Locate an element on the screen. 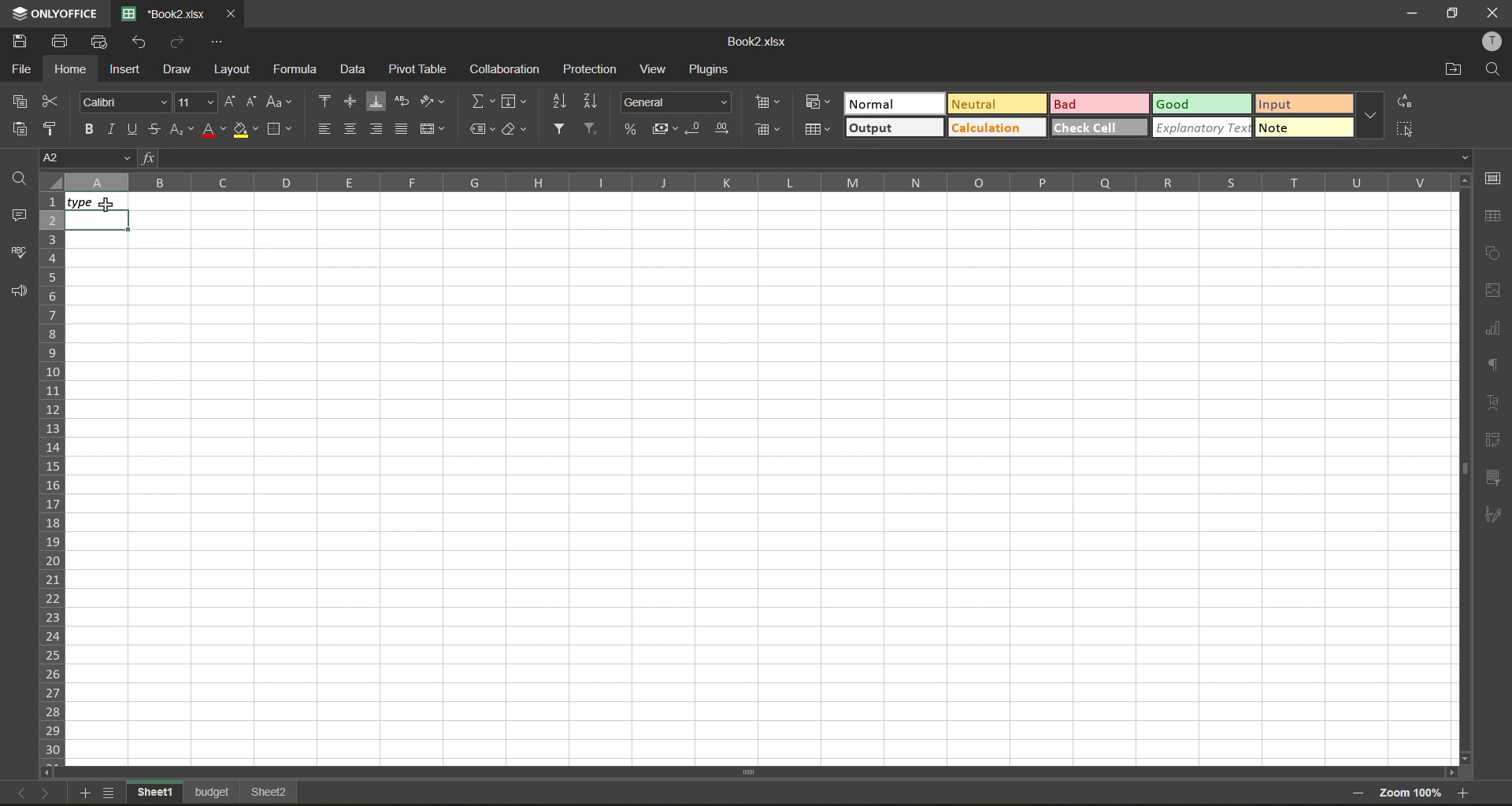 The width and height of the screenshot is (1512, 806). check cell is located at coordinates (1099, 128).